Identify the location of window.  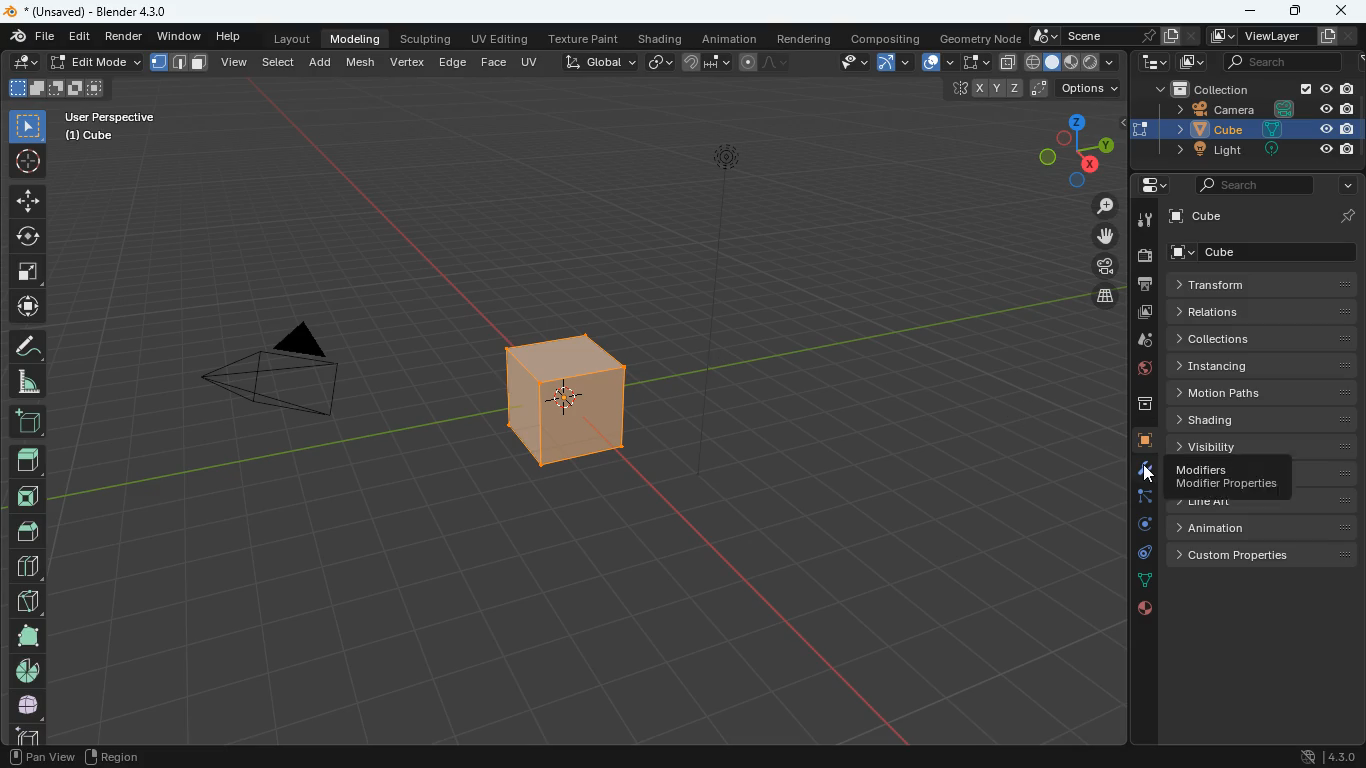
(181, 37).